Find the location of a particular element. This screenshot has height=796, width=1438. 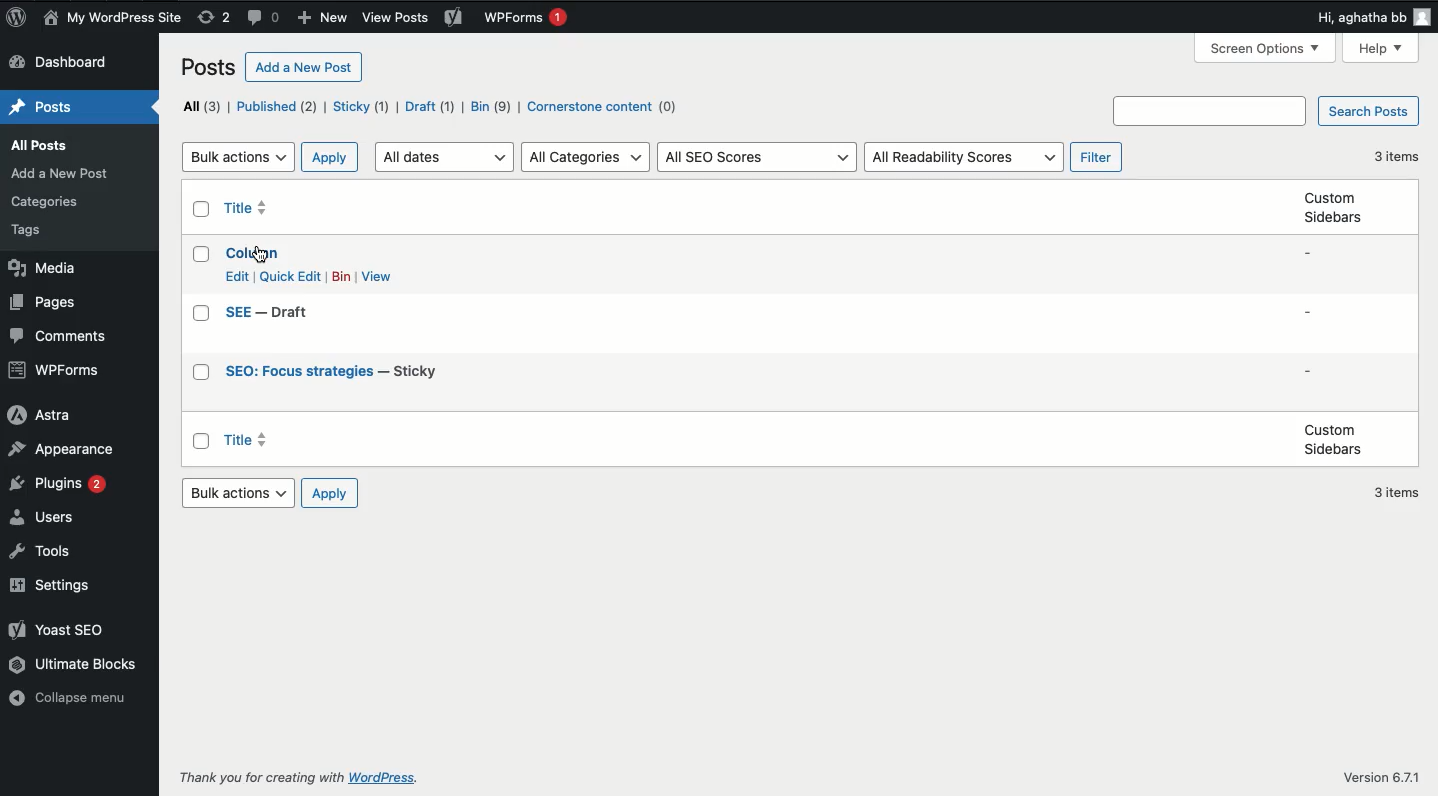

WPForms is located at coordinates (528, 17).